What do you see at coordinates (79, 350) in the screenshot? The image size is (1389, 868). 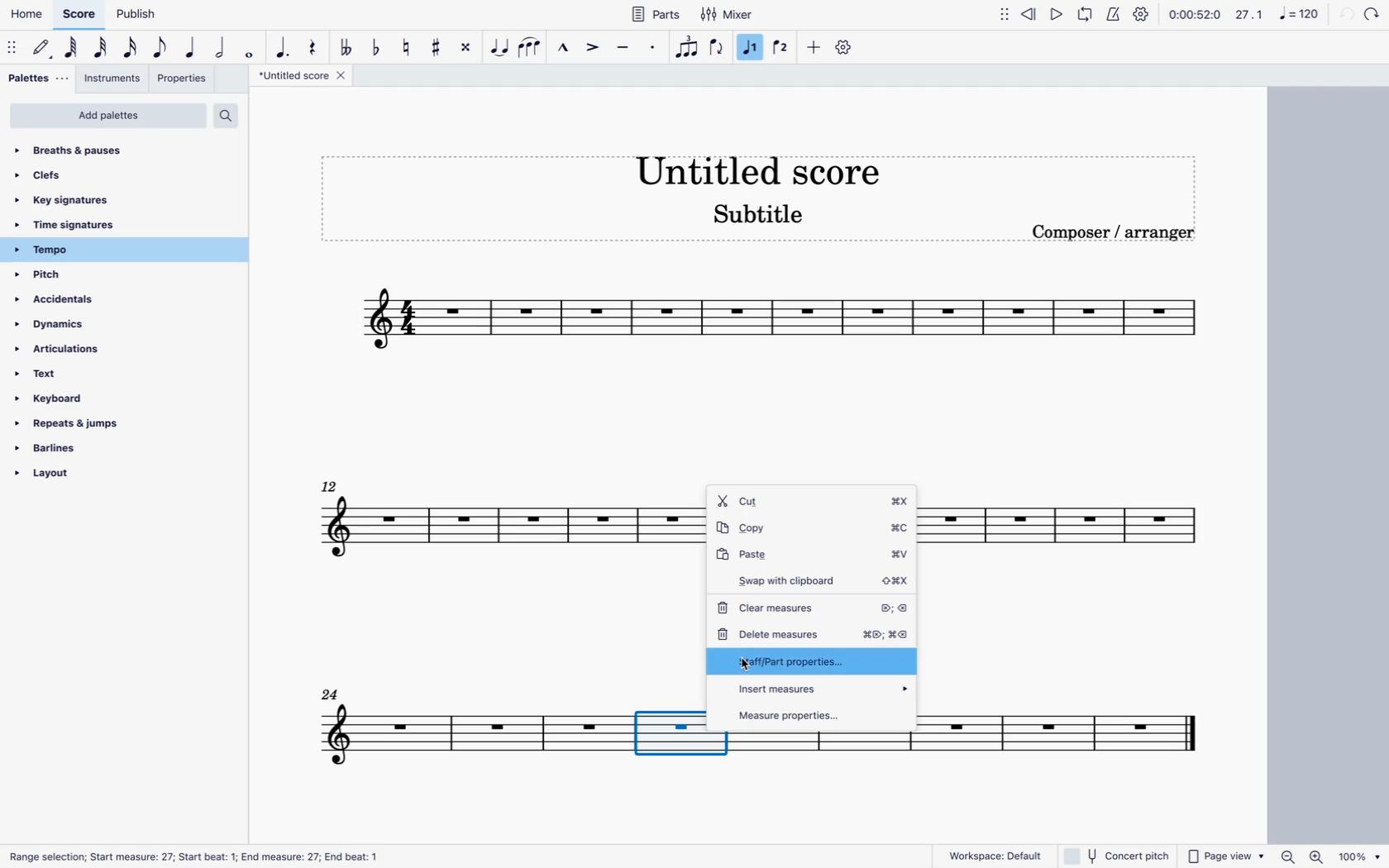 I see `articulations` at bounding box center [79, 350].